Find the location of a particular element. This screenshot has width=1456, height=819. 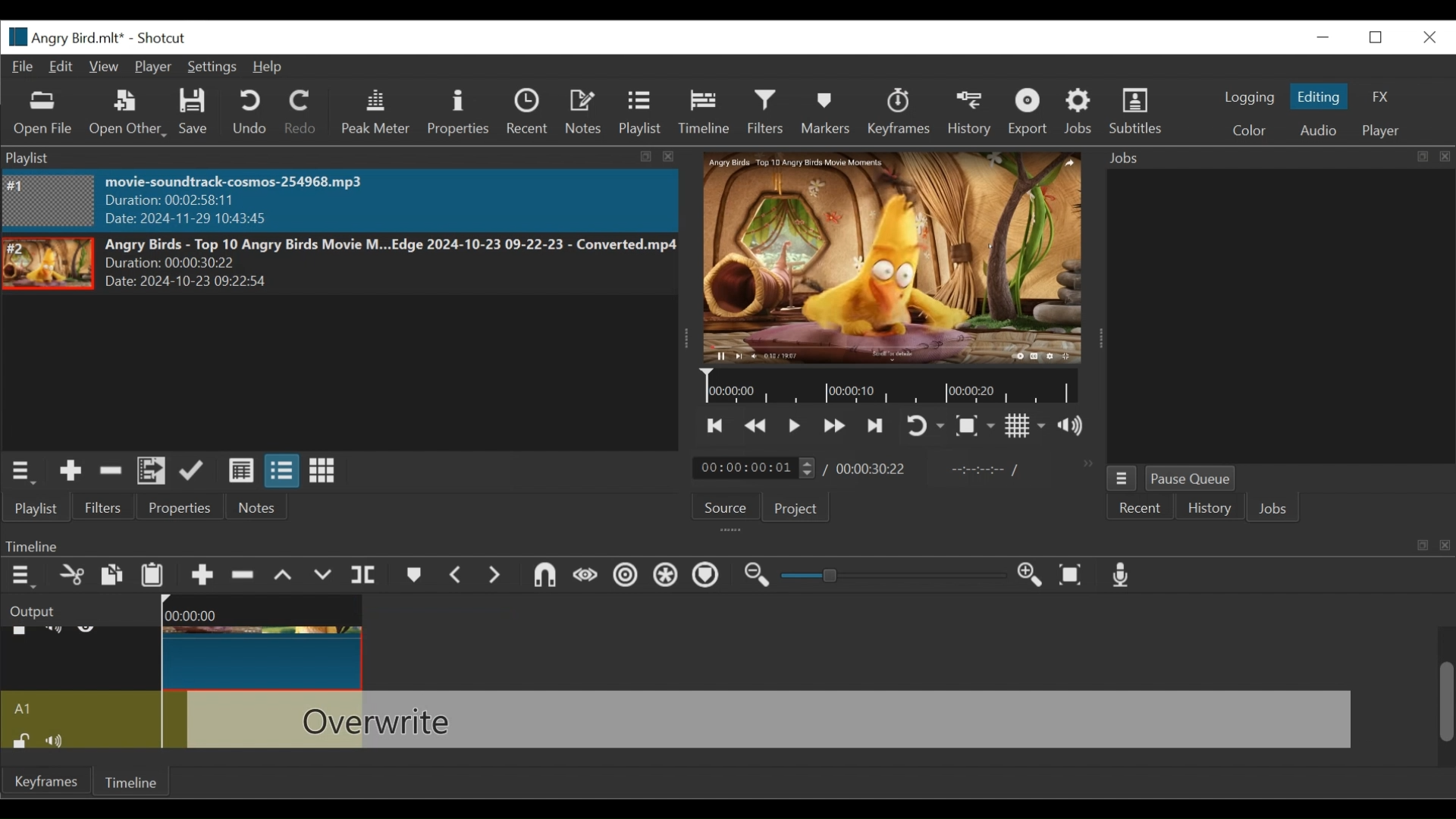

Editing is located at coordinates (1319, 97).